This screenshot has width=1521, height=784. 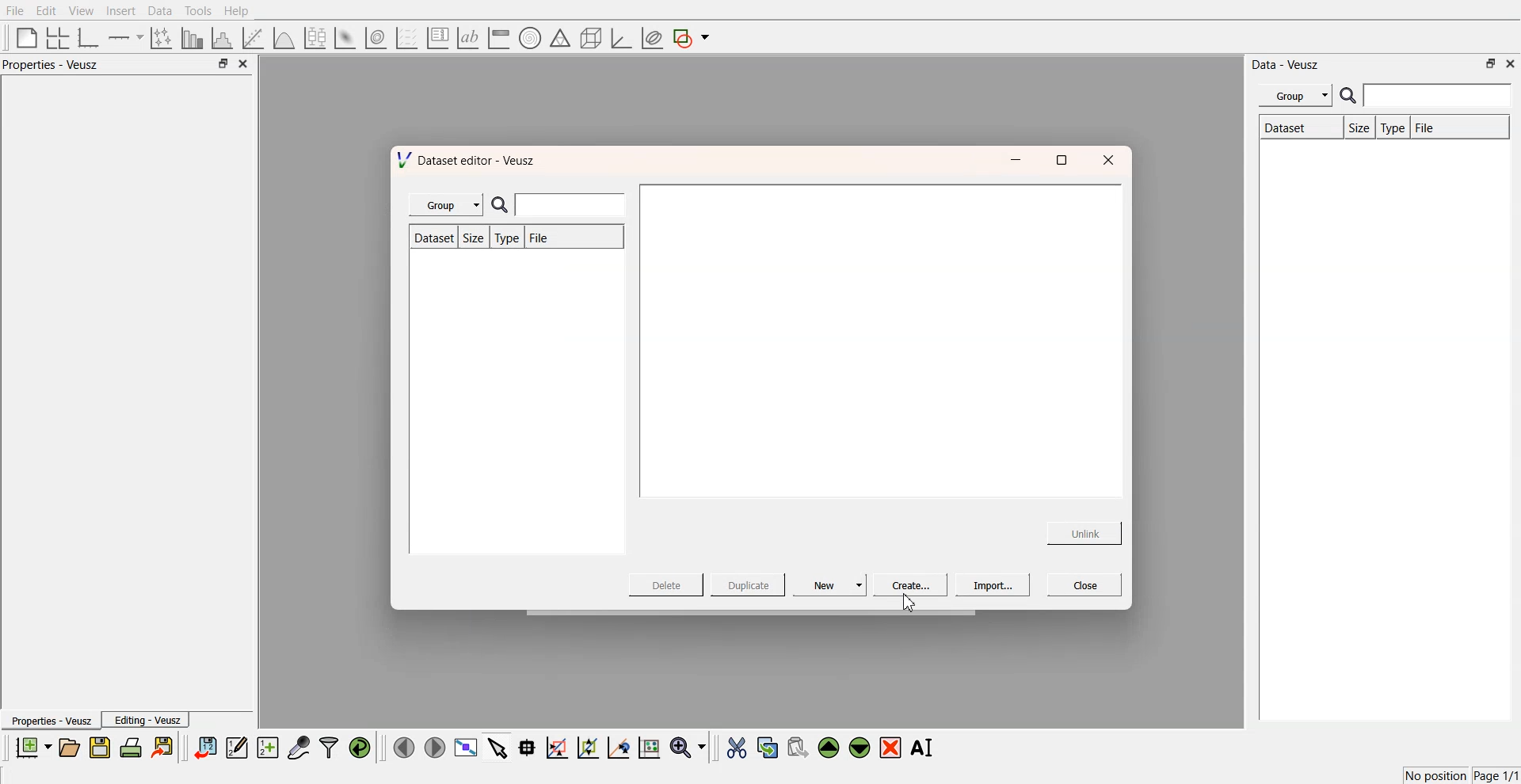 What do you see at coordinates (437, 38) in the screenshot?
I see `plot key` at bounding box center [437, 38].